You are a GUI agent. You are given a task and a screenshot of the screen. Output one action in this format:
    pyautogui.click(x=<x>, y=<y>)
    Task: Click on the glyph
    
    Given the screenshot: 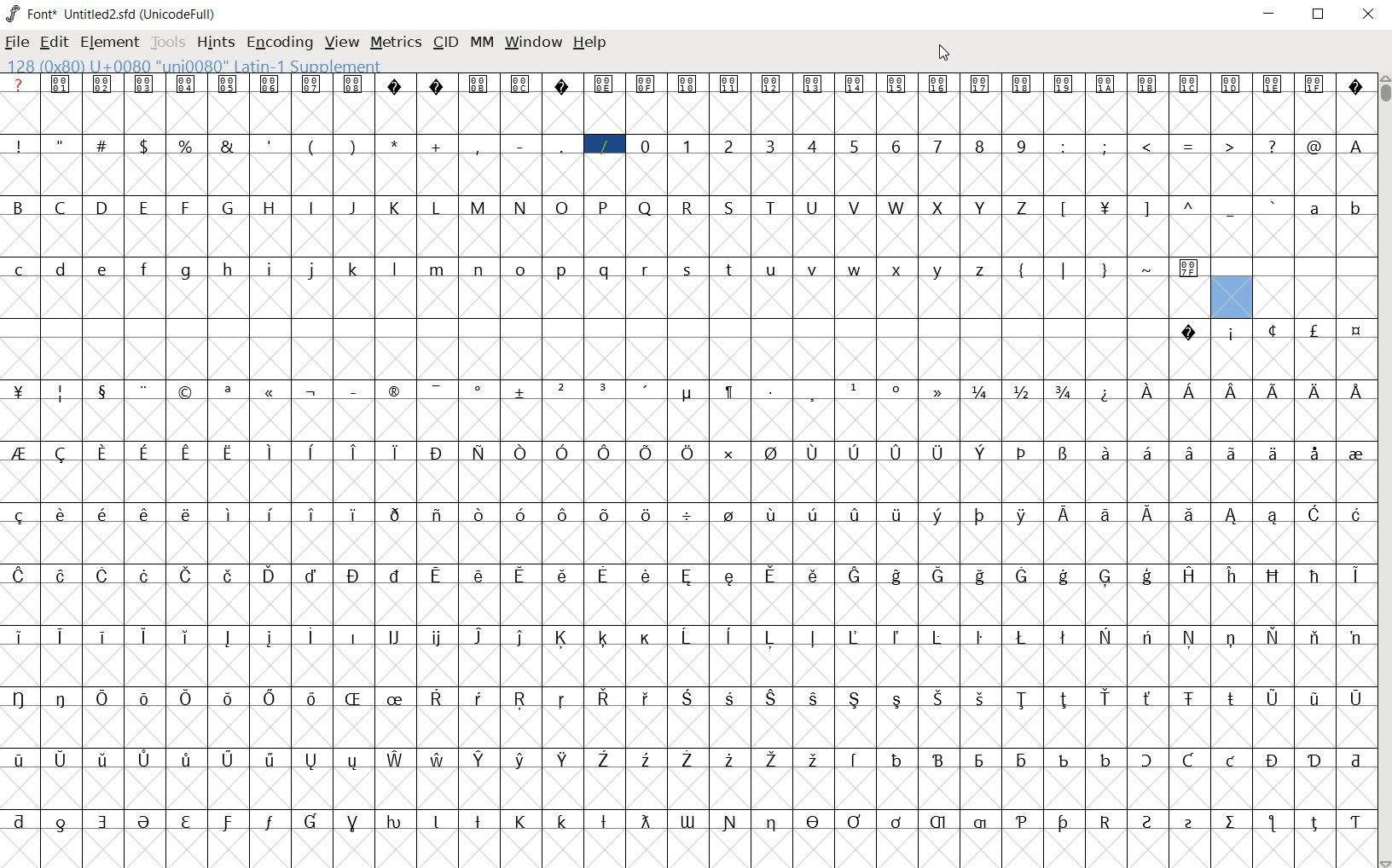 What is the action you would take?
    pyautogui.click(x=396, y=699)
    